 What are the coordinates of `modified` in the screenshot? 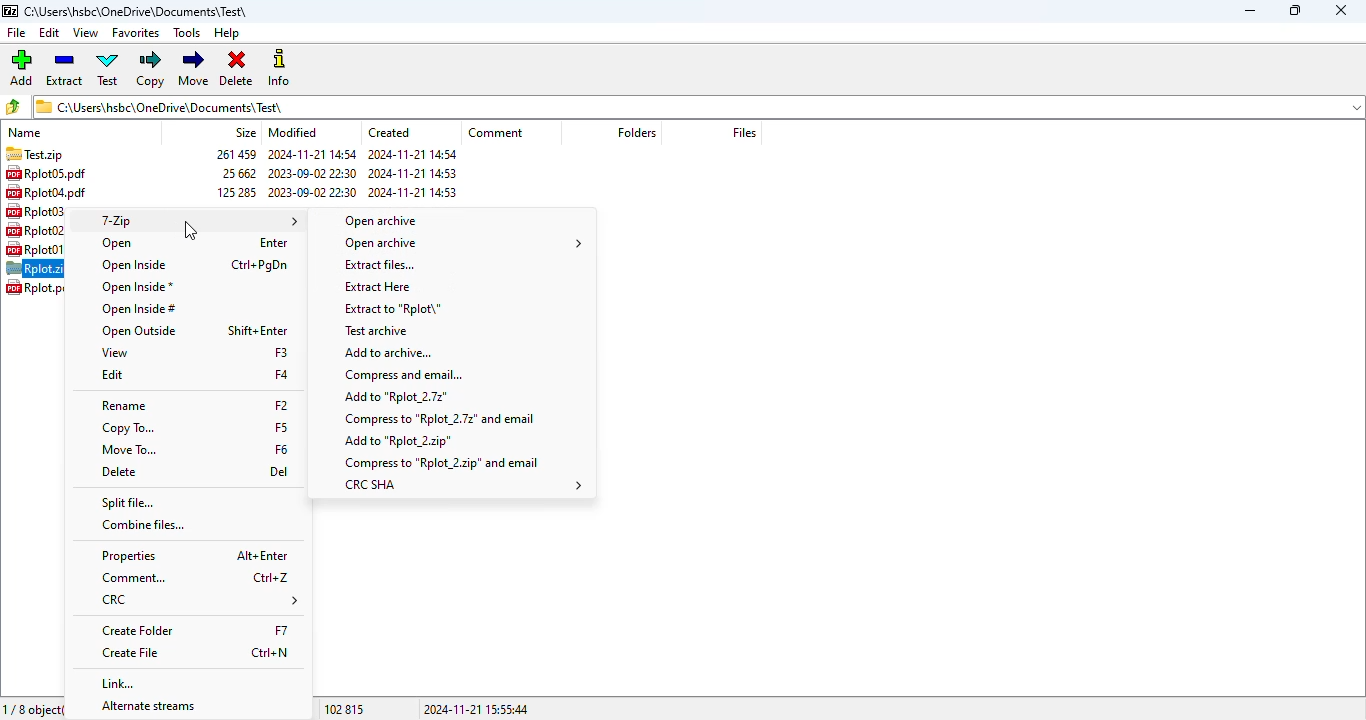 It's located at (292, 133).